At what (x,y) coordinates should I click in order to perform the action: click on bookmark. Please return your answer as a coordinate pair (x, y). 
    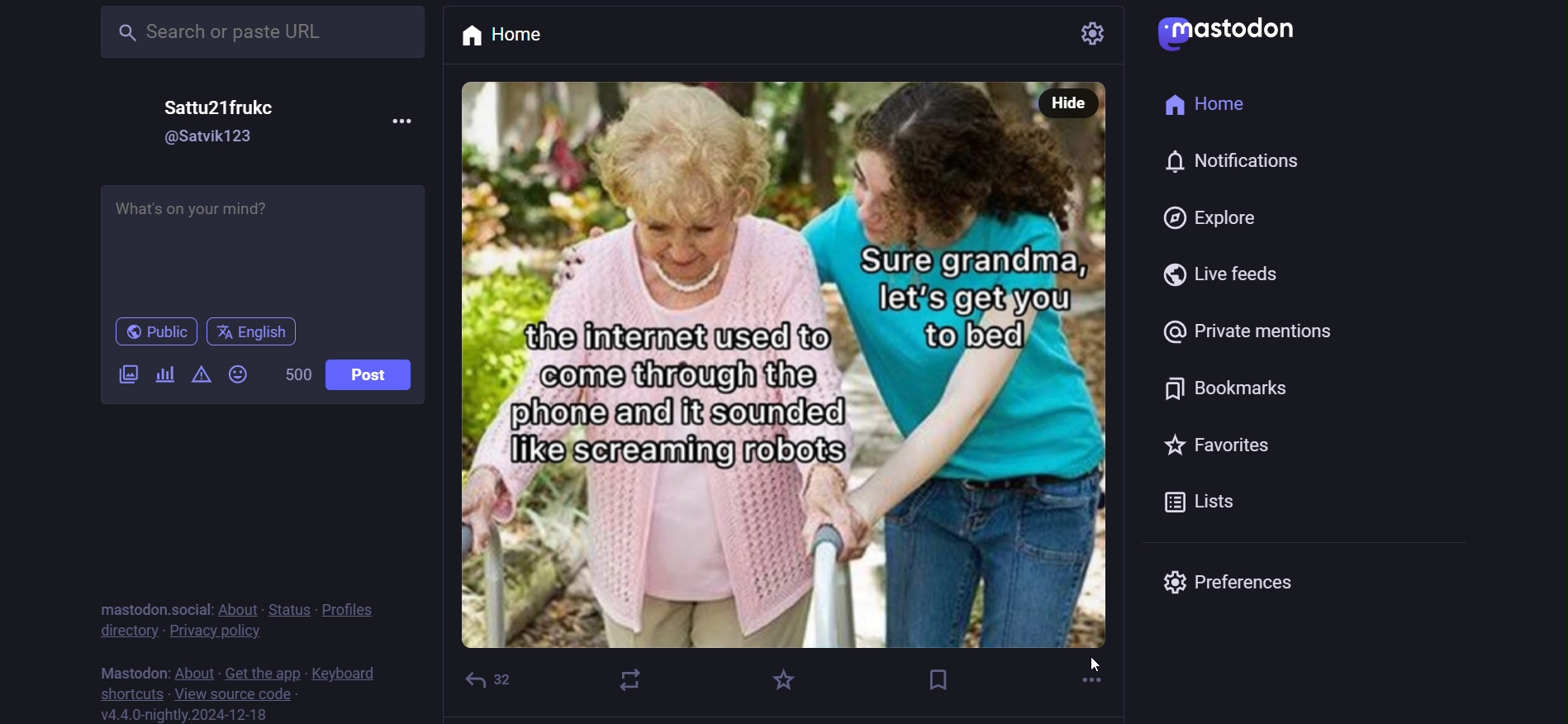
    Looking at the image, I should click on (1205, 386).